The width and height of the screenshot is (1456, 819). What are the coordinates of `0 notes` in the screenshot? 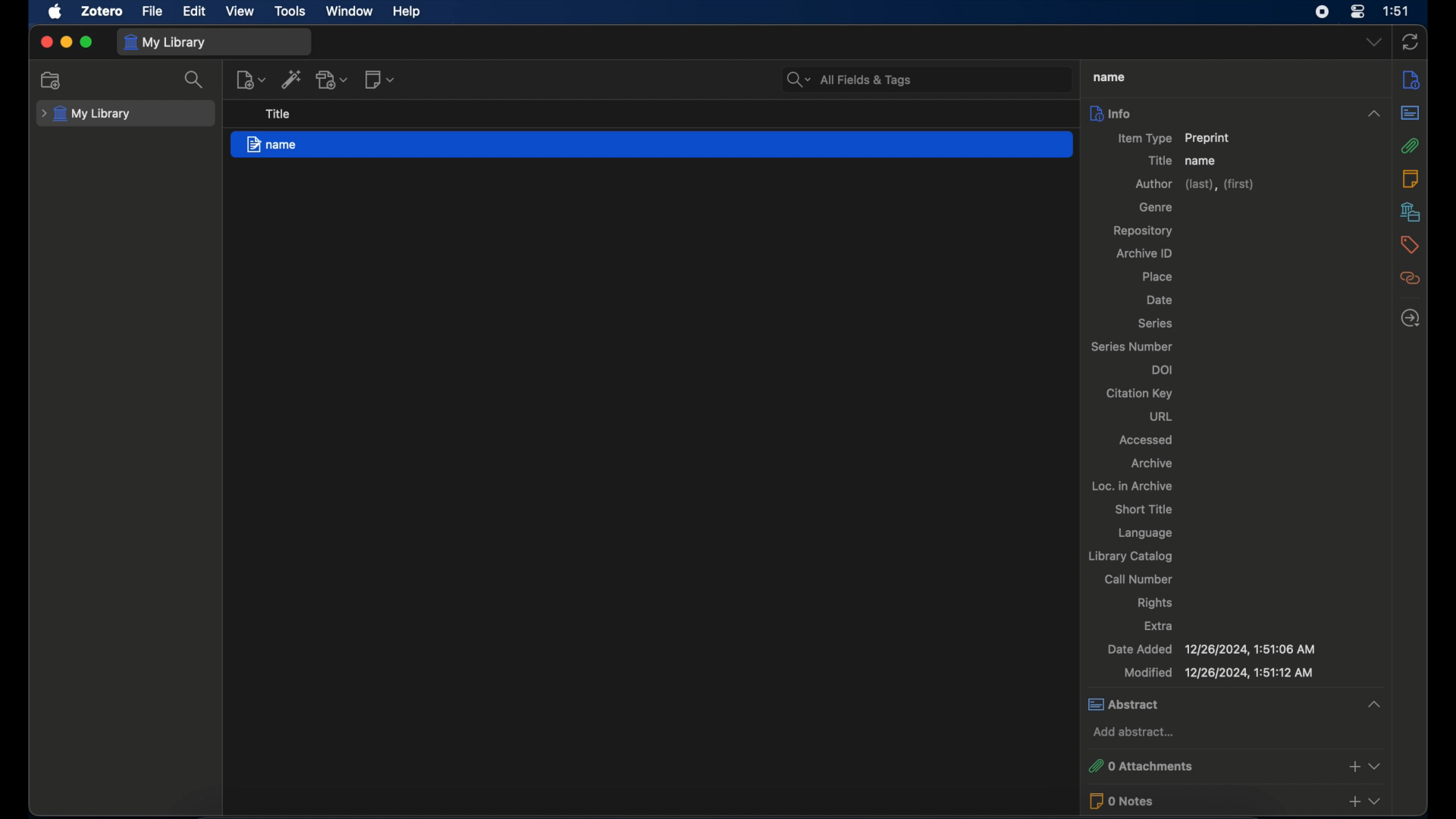 It's located at (1235, 801).